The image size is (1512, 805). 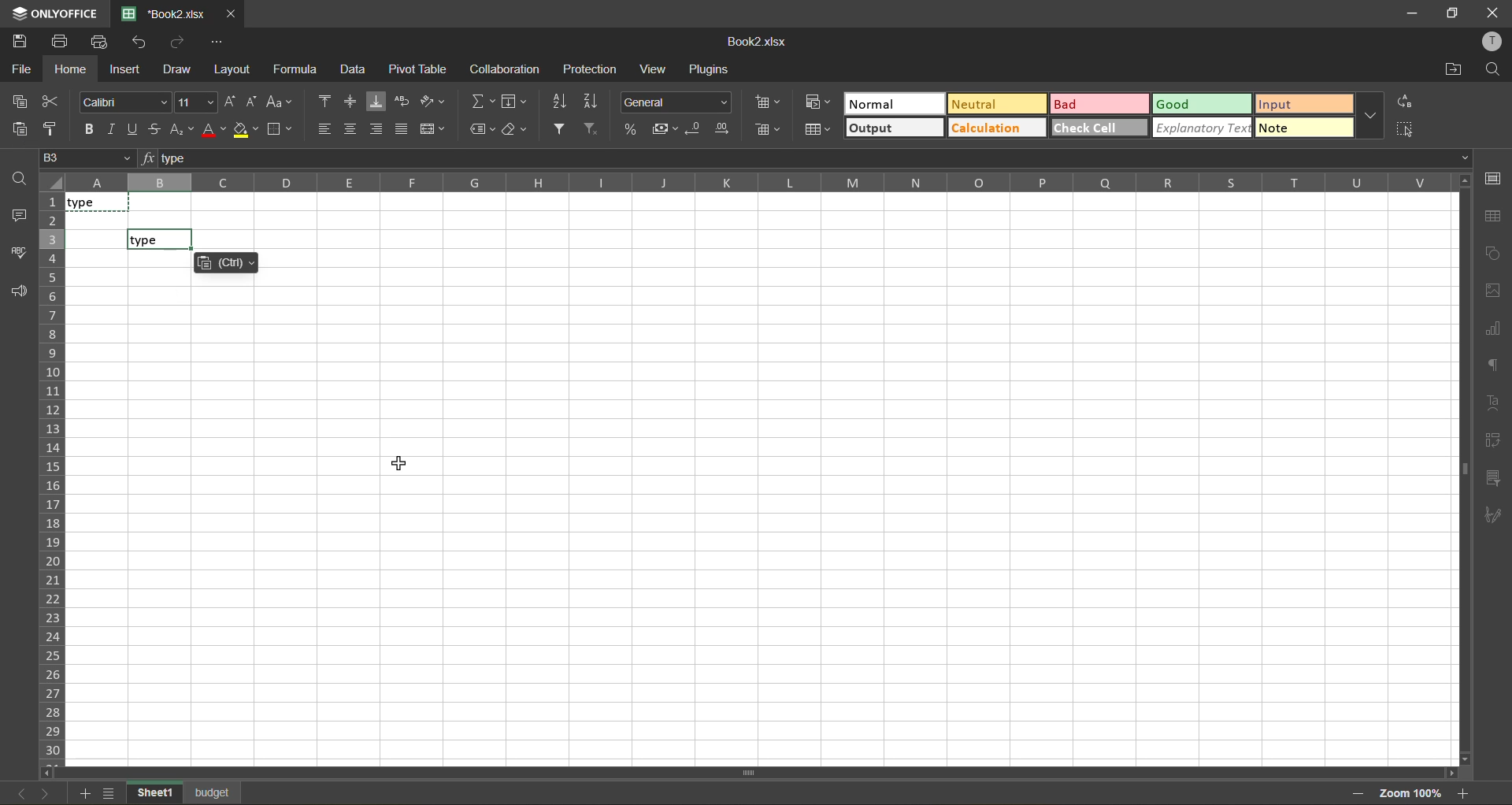 What do you see at coordinates (1490, 476) in the screenshot?
I see `slicer` at bounding box center [1490, 476].